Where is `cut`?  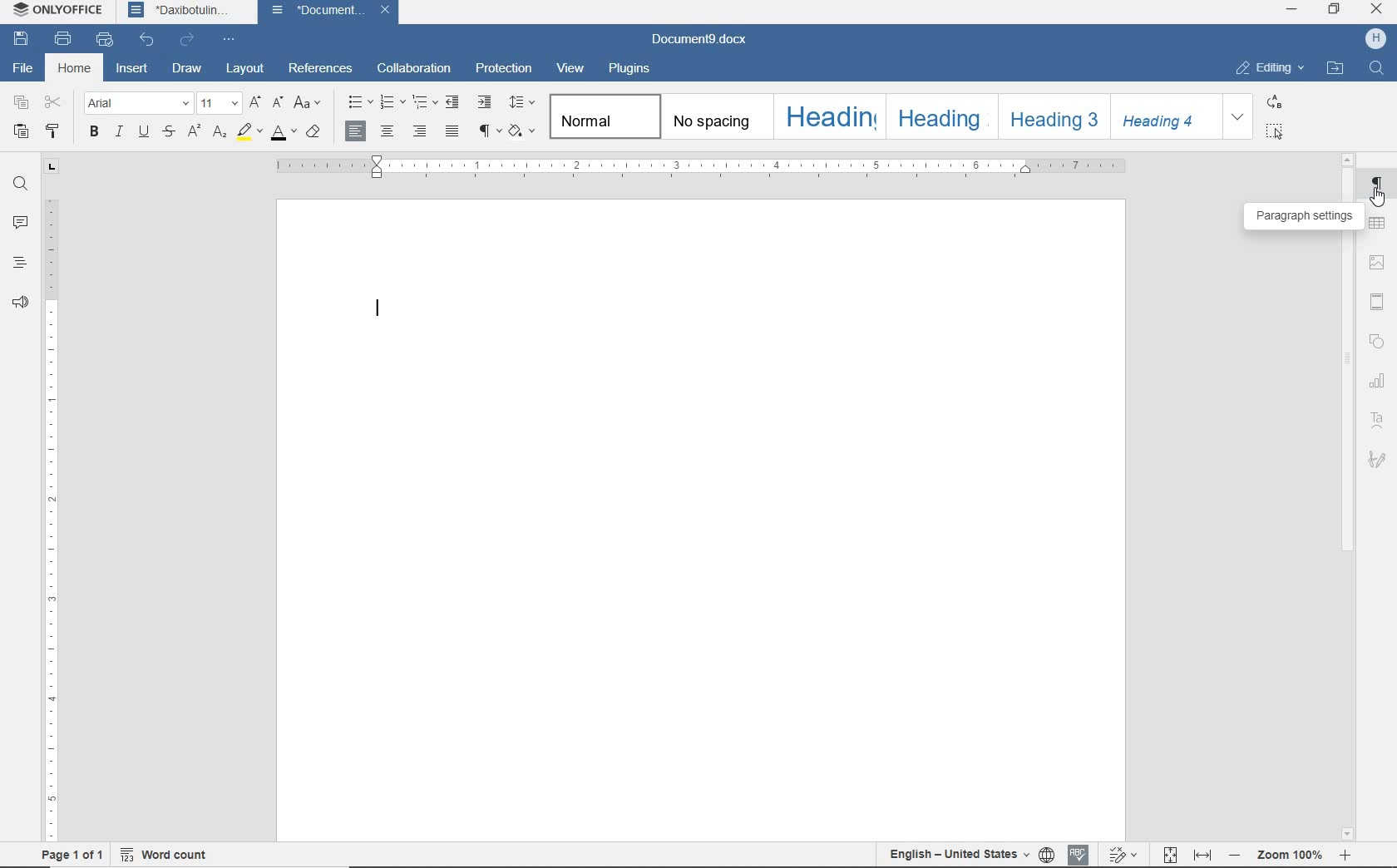 cut is located at coordinates (57, 102).